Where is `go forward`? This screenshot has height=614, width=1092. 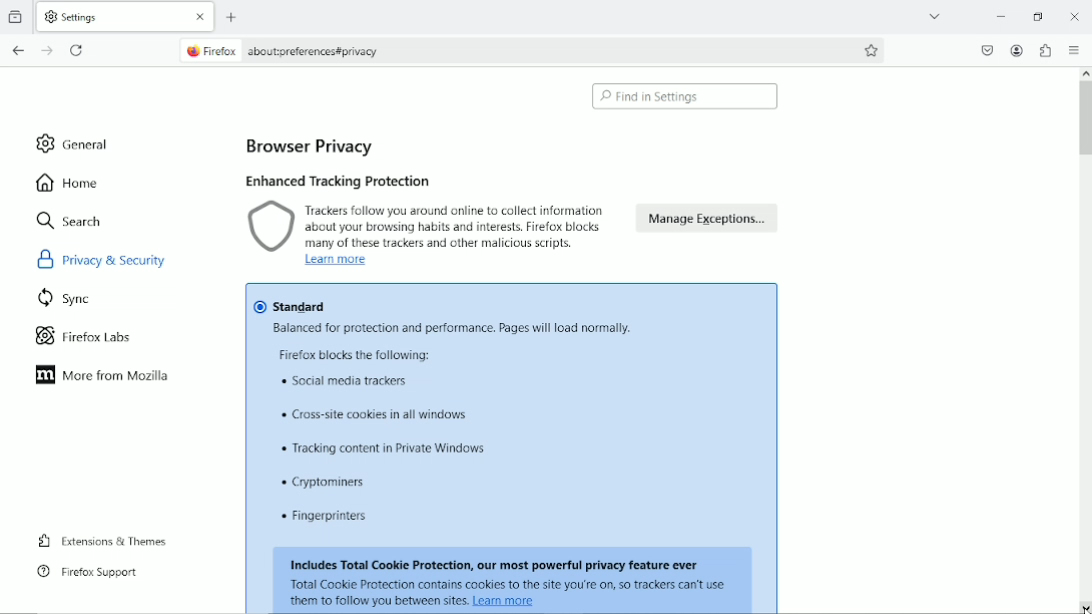
go forward is located at coordinates (47, 50).